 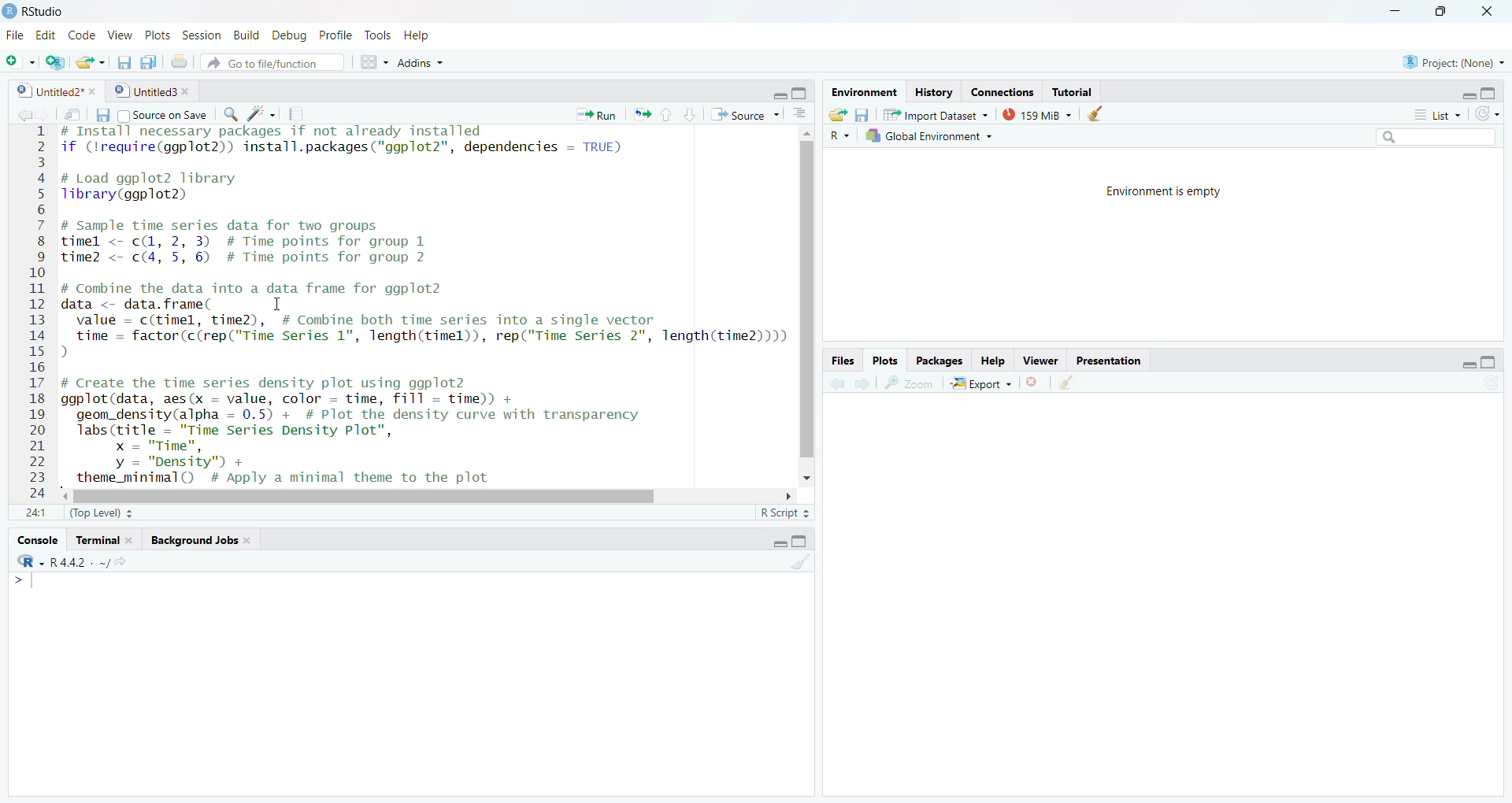 What do you see at coordinates (939, 362) in the screenshot?
I see `Packages` at bounding box center [939, 362].